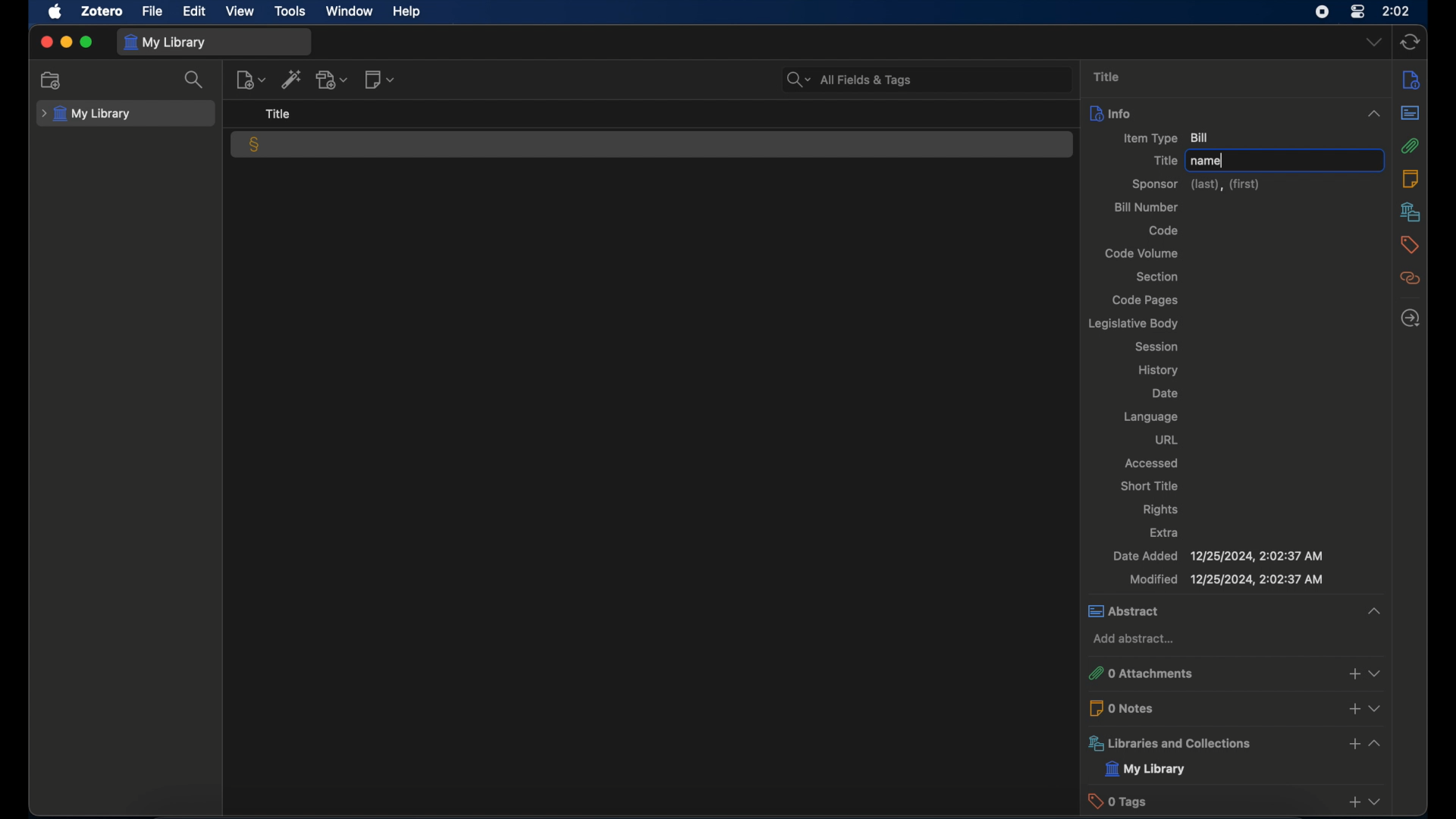 The width and height of the screenshot is (1456, 819). I want to click on legislative body, so click(1131, 324).